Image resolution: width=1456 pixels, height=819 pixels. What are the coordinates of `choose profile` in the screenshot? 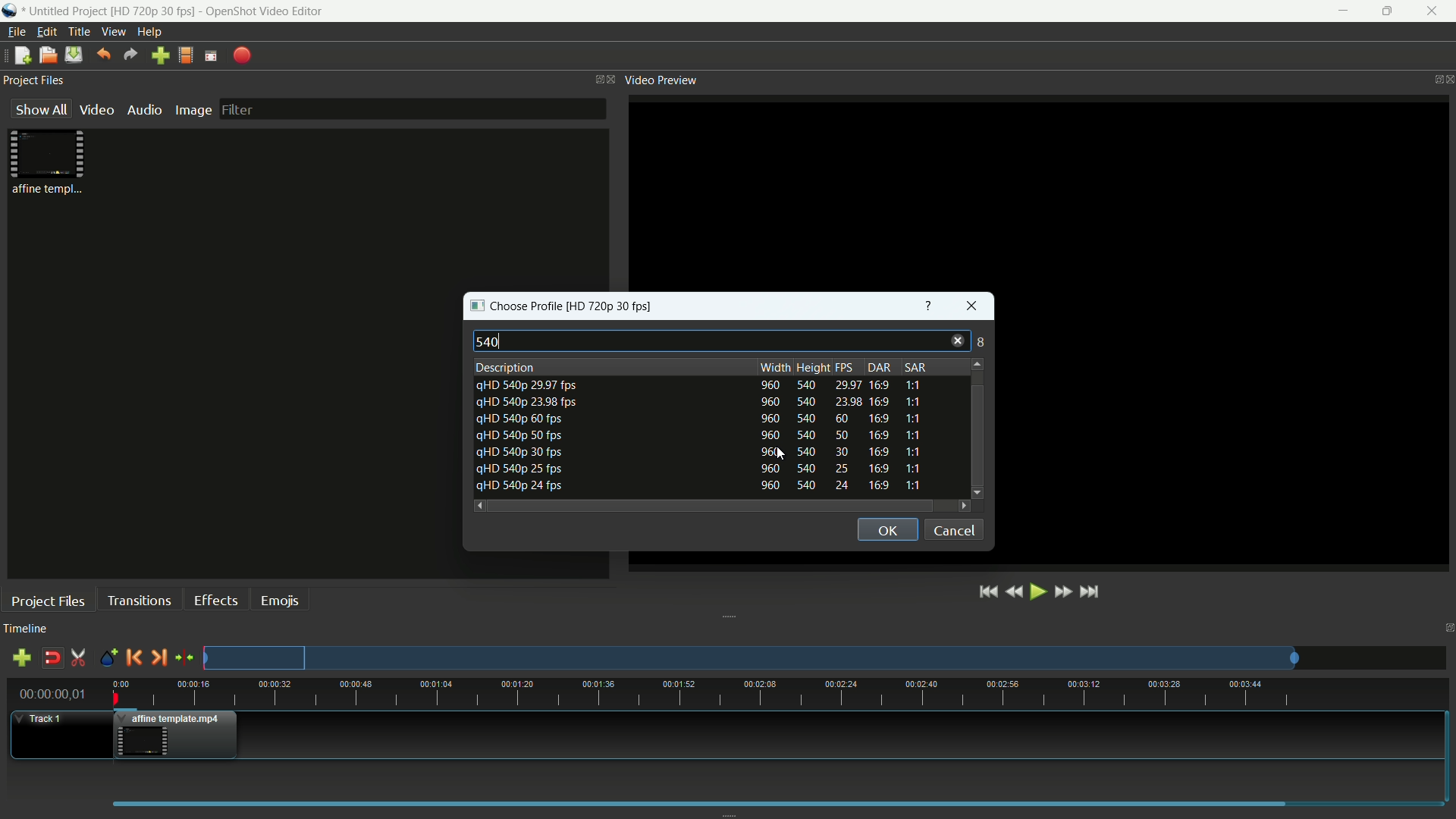 It's located at (513, 307).